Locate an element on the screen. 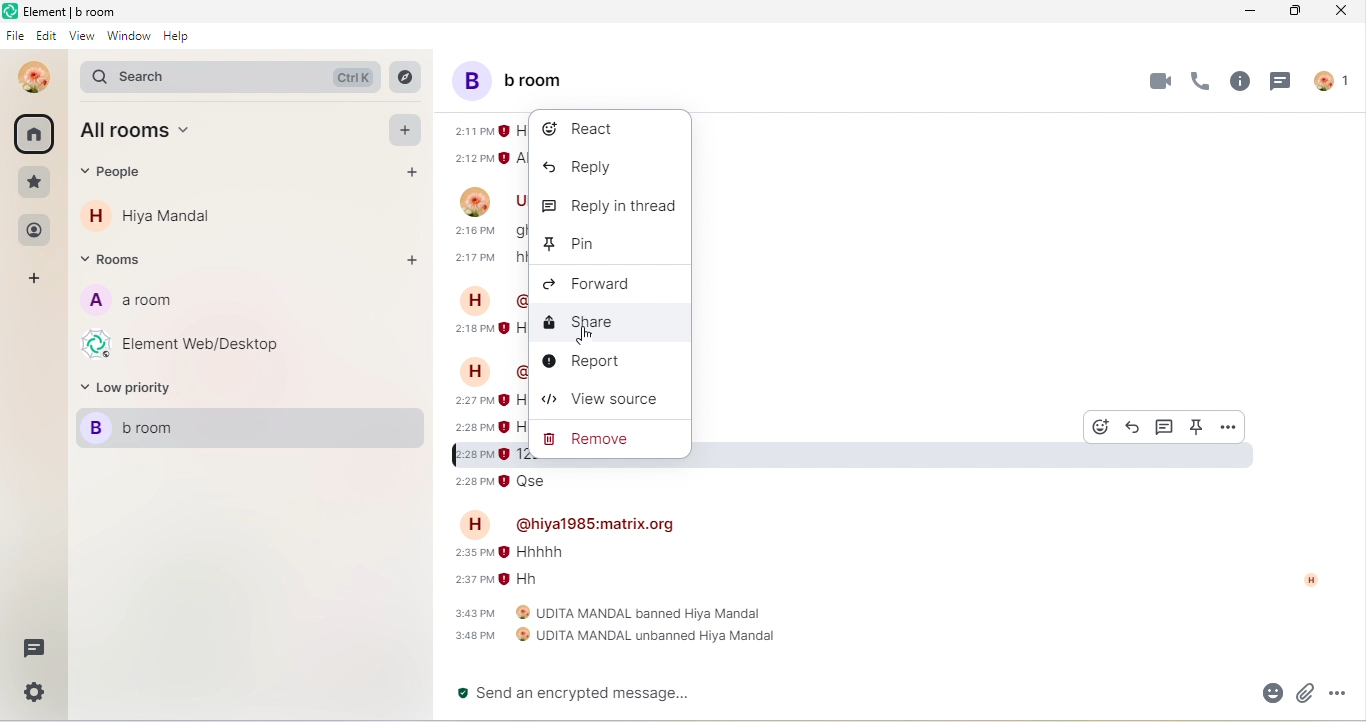 The height and width of the screenshot is (722, 1366). window is located at coordinates (128, 41).